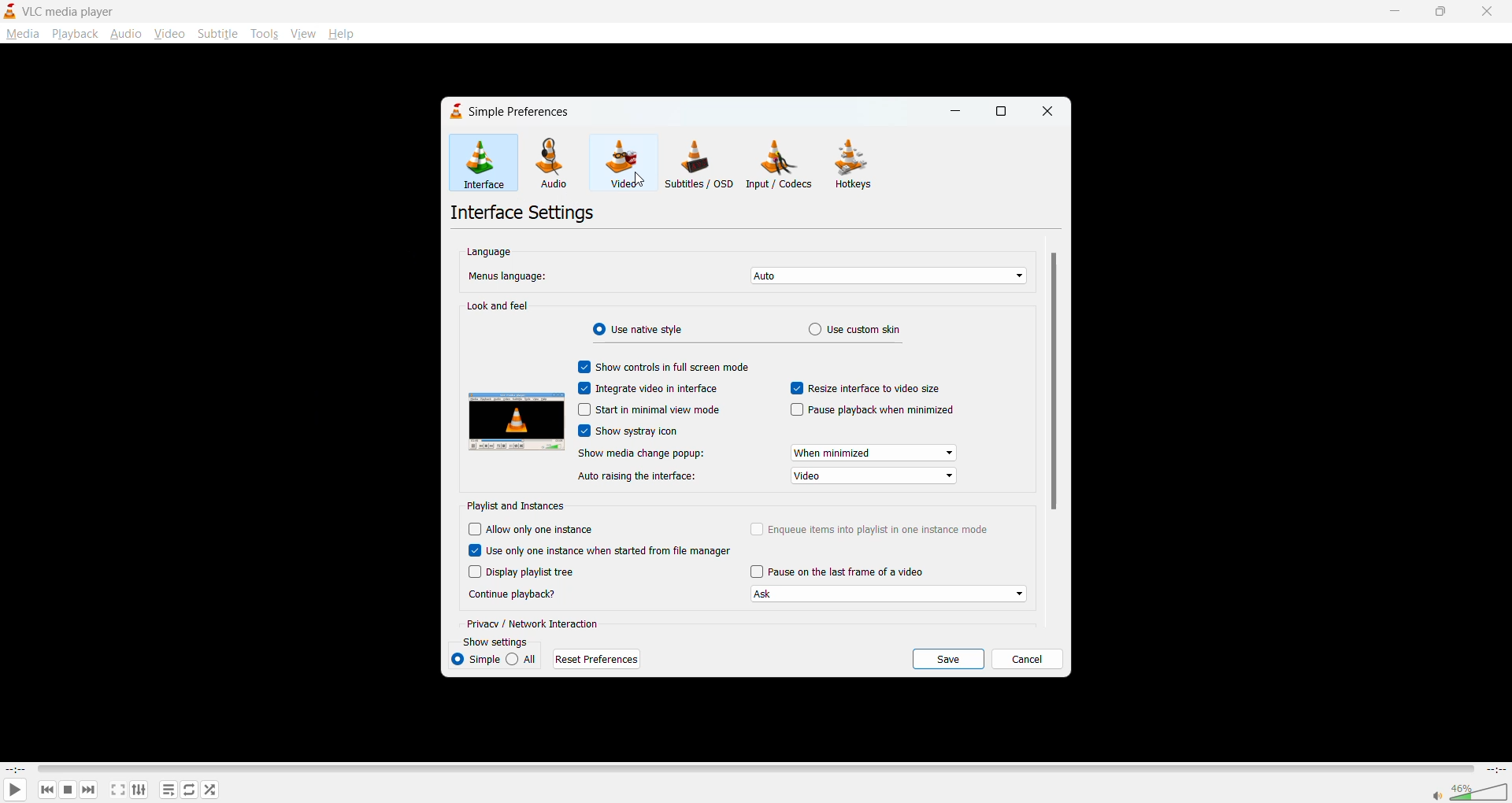 This screenshot has height=803, width=1512. Describe the element at coordinates (626, 430) in the screenshot. I see `show systray icon` at that location.